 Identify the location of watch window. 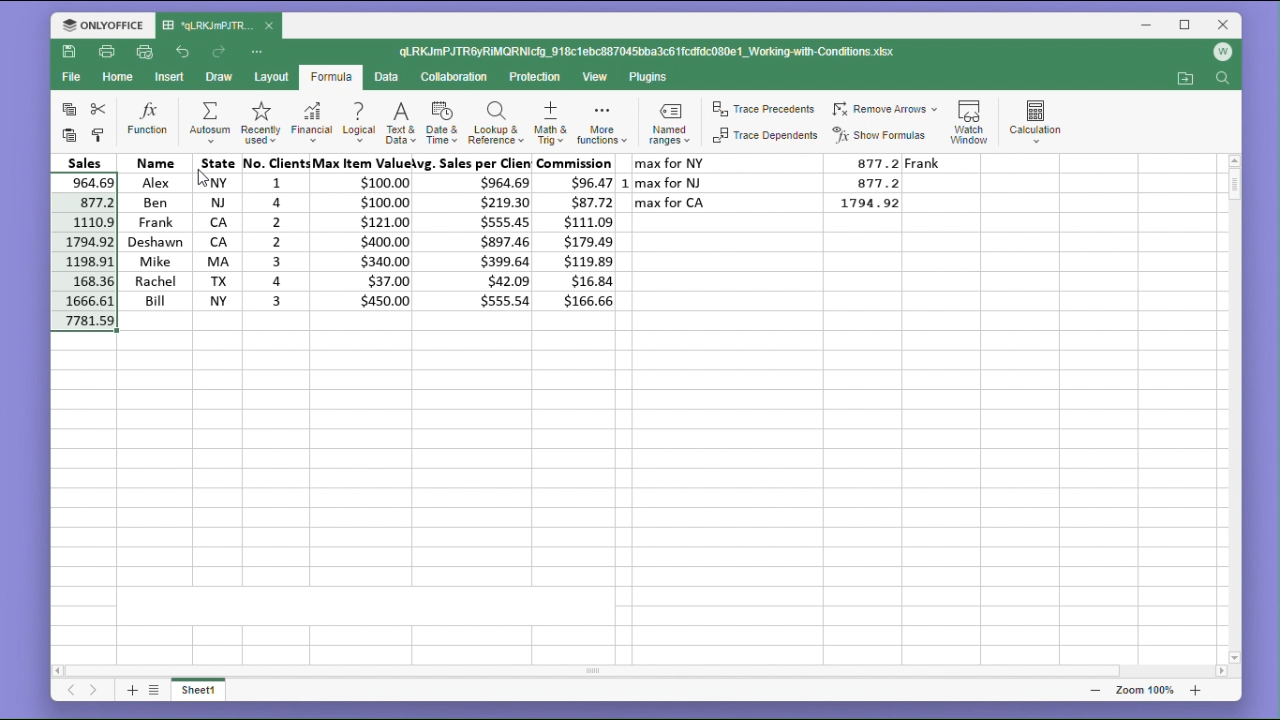
(972, 118).